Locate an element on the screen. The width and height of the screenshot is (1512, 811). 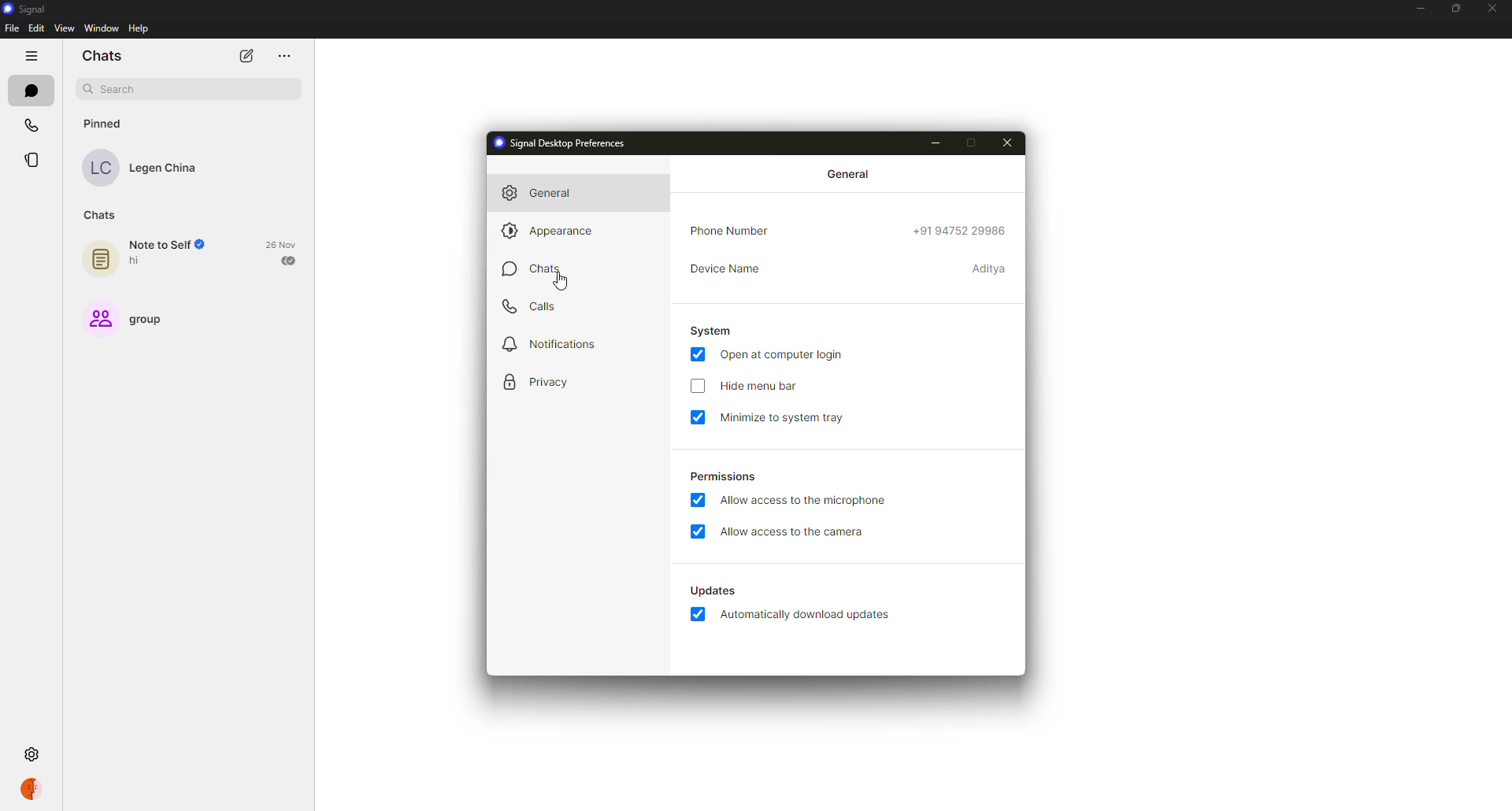
close is located at coordinates (1493, 9).